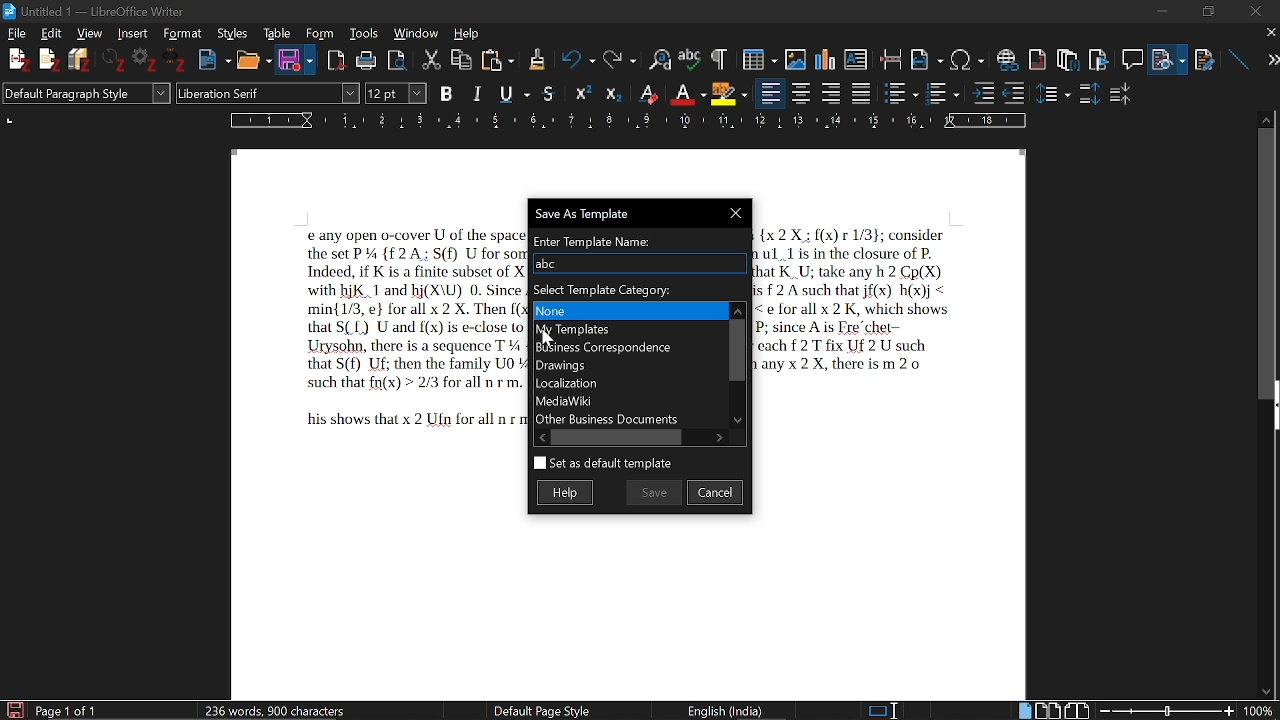 The width and height of the screenshot is (1280, 720). I want to click on , so click(49, 61).